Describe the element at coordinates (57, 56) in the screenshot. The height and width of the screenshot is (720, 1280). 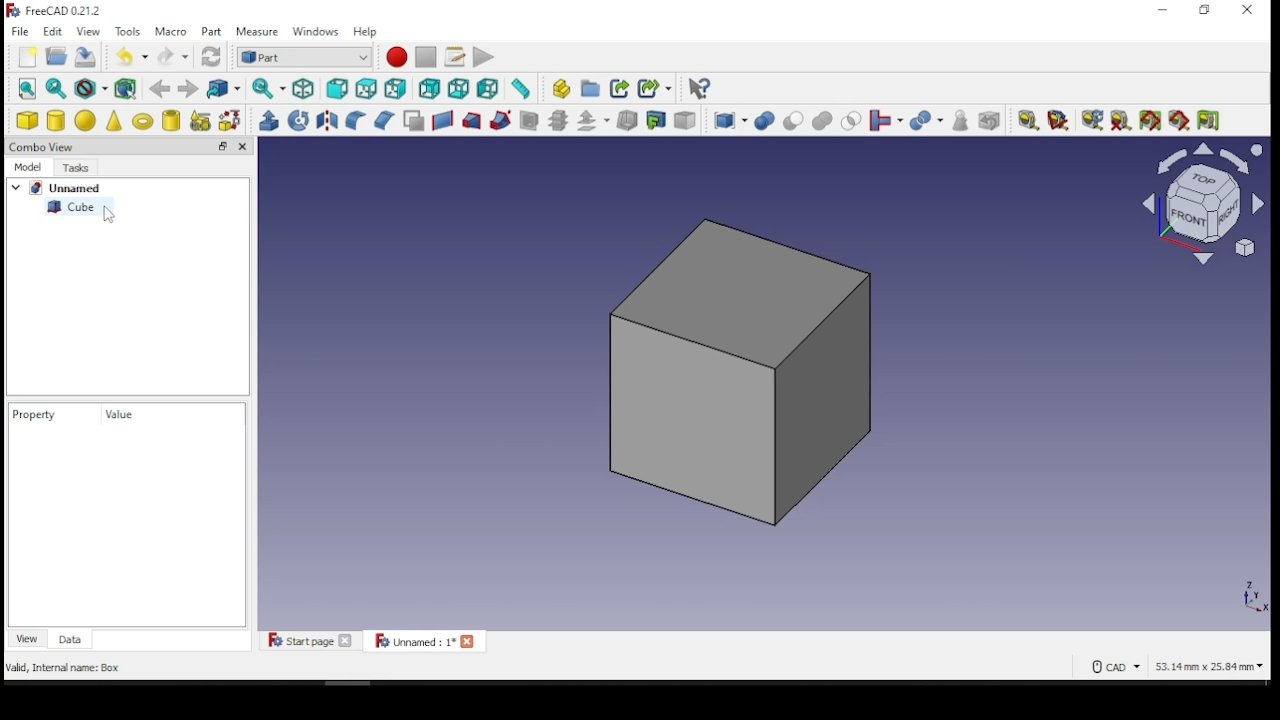
I see `open` at that location.